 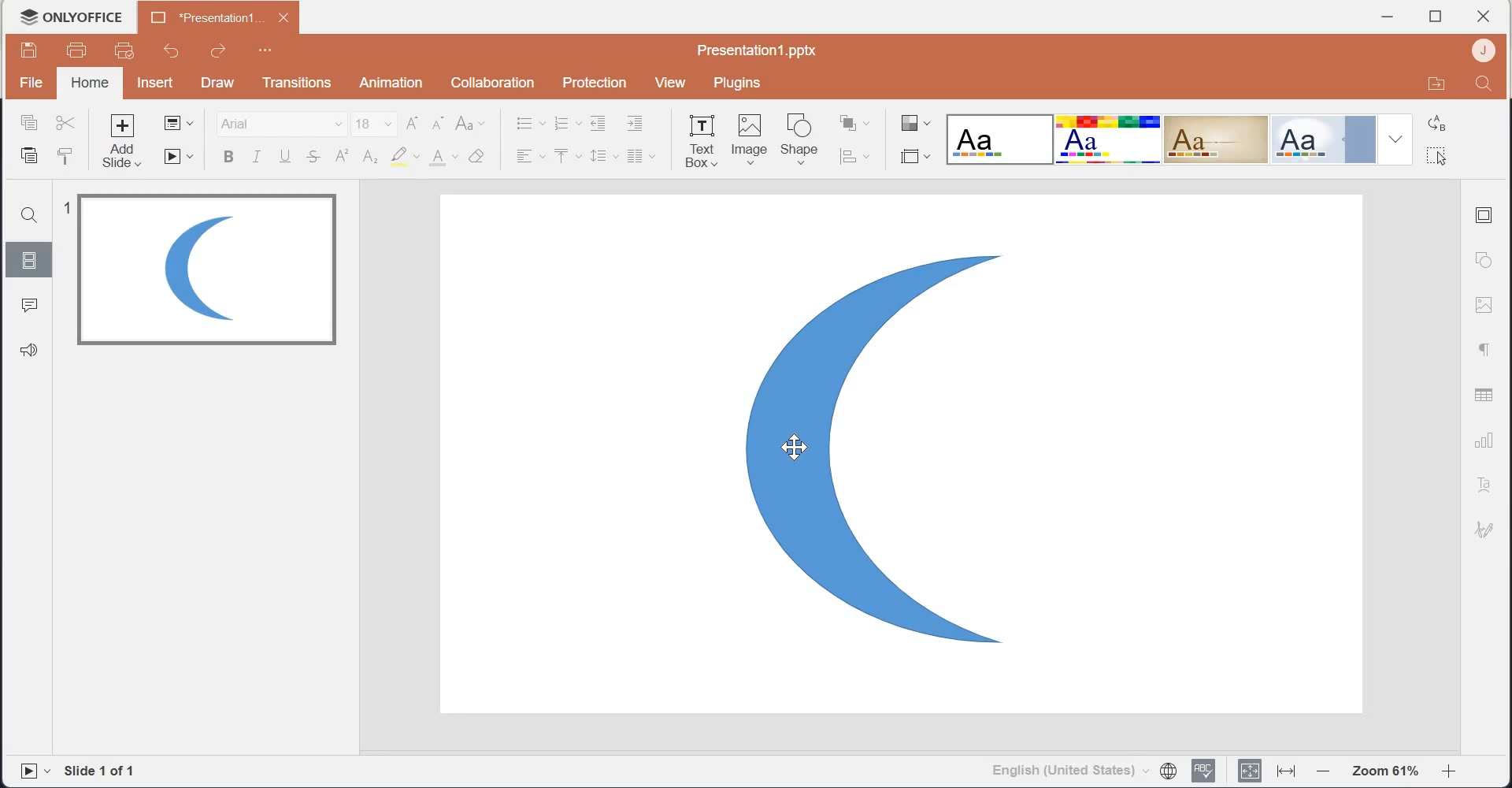 I want to click on Cursor, so click(x=793, y=445).